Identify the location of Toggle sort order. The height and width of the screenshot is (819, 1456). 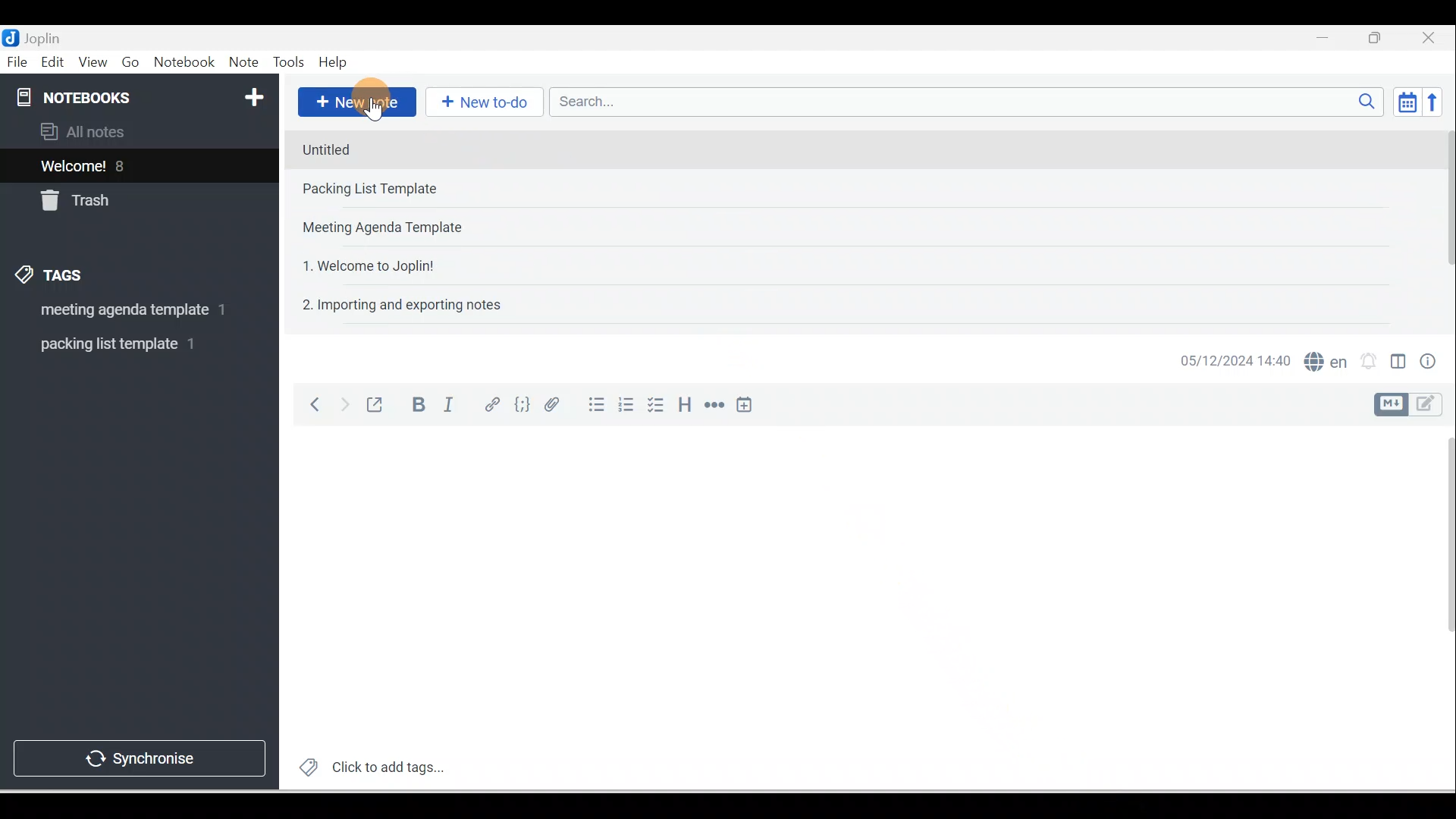
(1407, 101).